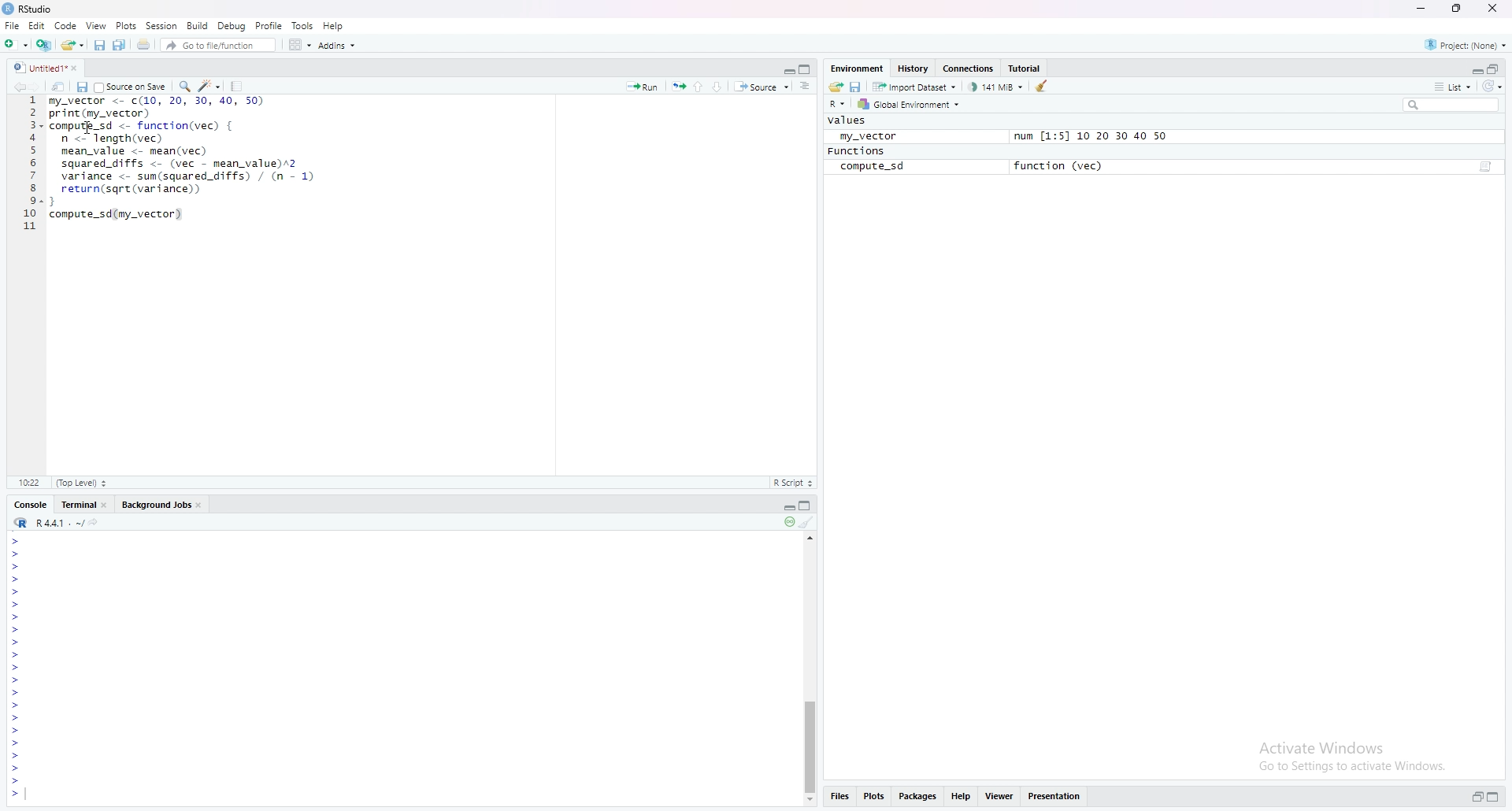  I want to click on Prompt cursor, so click(18, 668).